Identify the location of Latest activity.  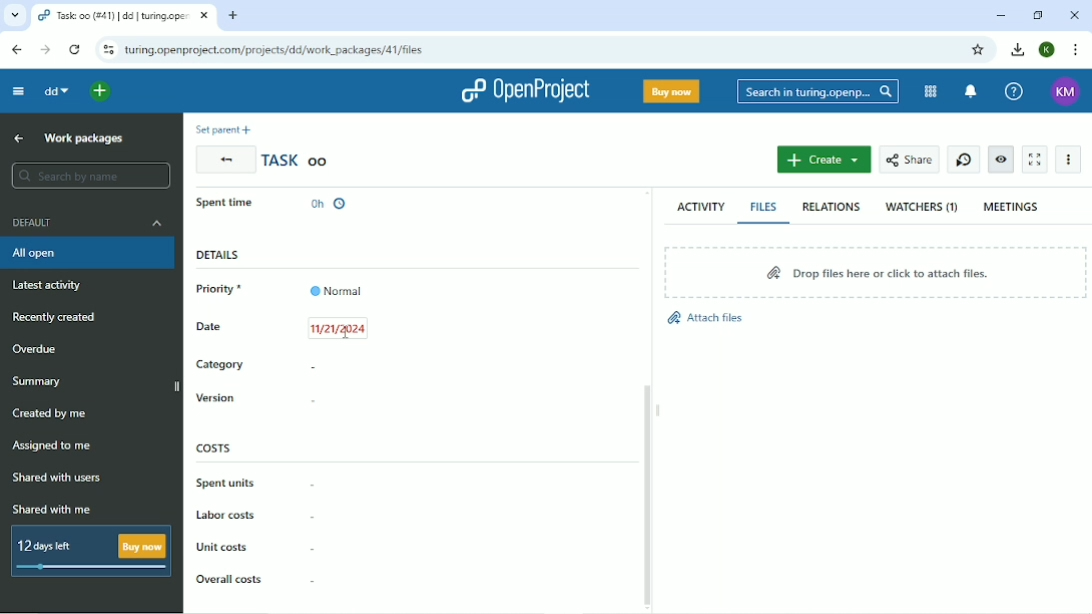
(51, 284).